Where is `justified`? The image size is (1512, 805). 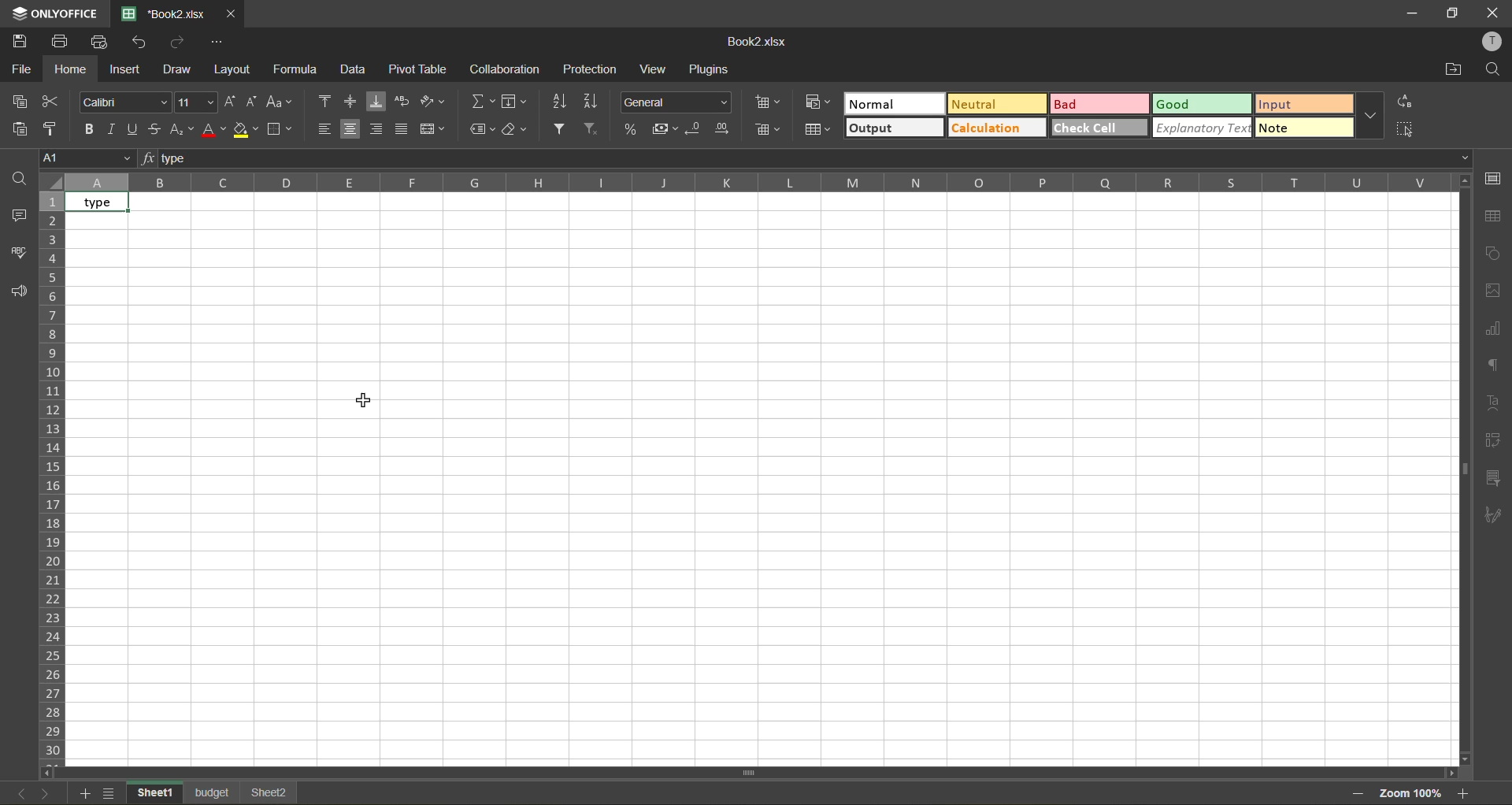 justified is located at coordinates (406, 131).